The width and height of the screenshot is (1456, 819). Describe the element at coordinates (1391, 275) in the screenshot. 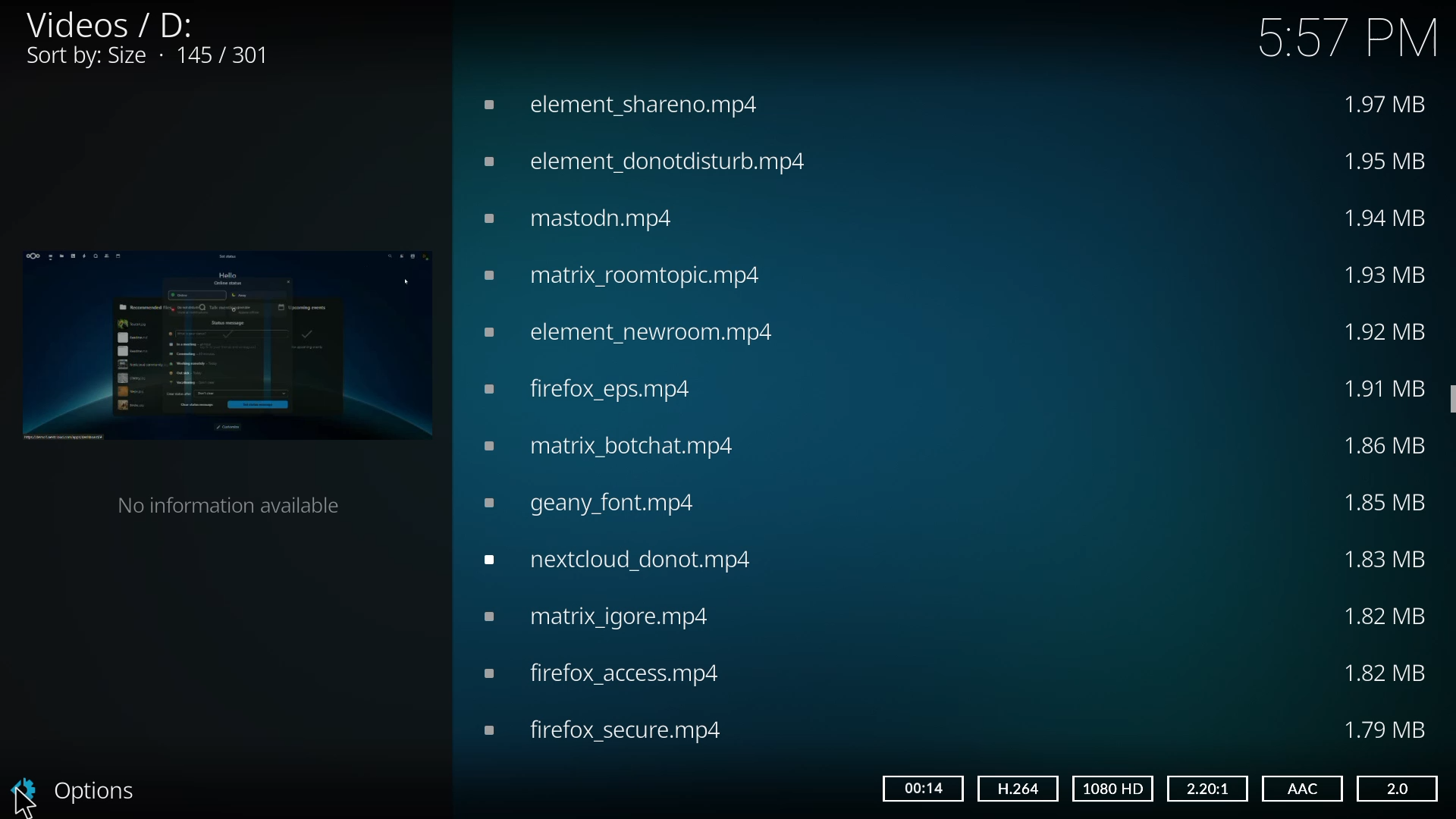

I see `size` at that location.